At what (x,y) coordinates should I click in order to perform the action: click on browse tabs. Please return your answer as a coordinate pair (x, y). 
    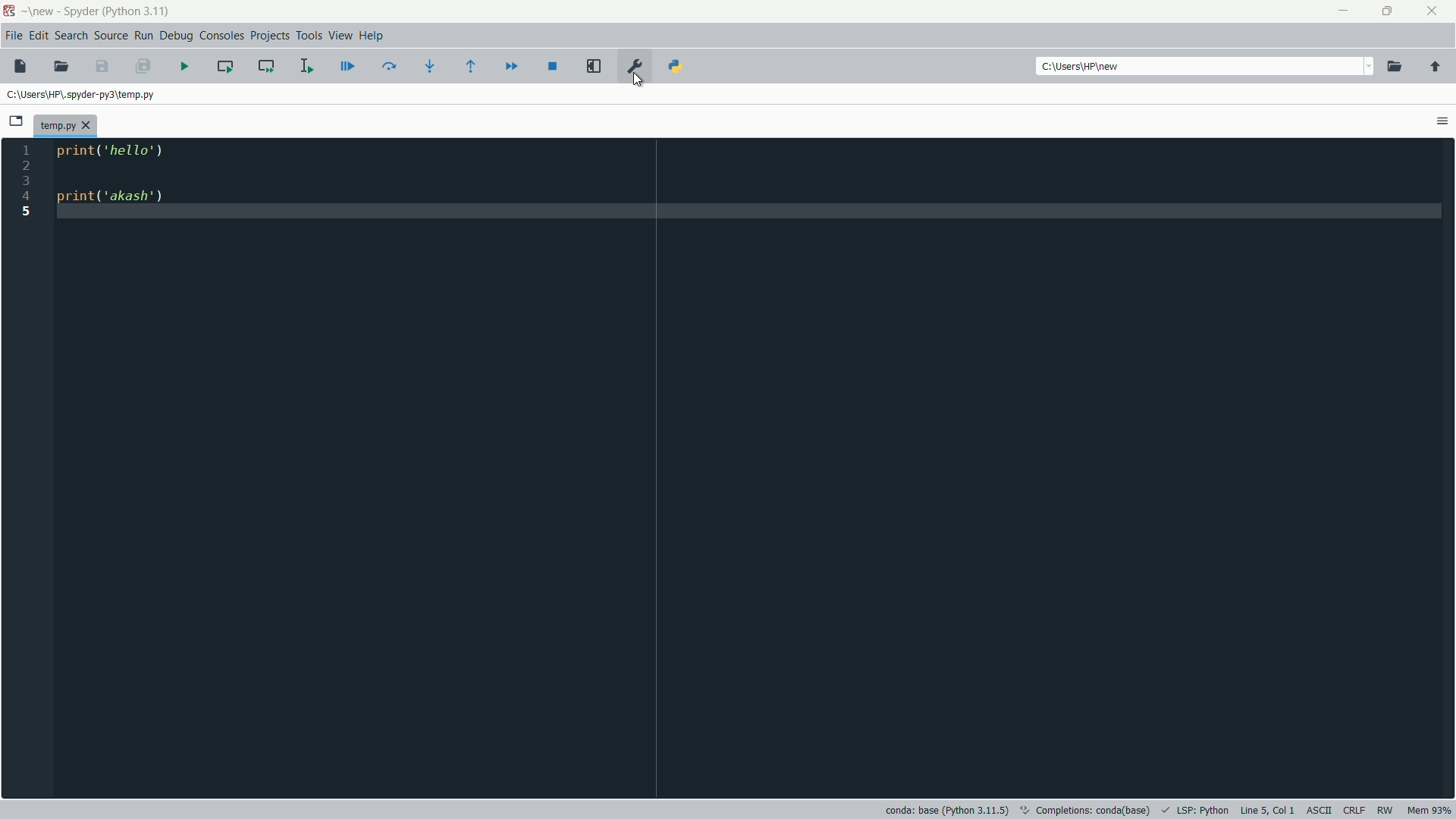
    Looking at the image, I should click on (17, 121).